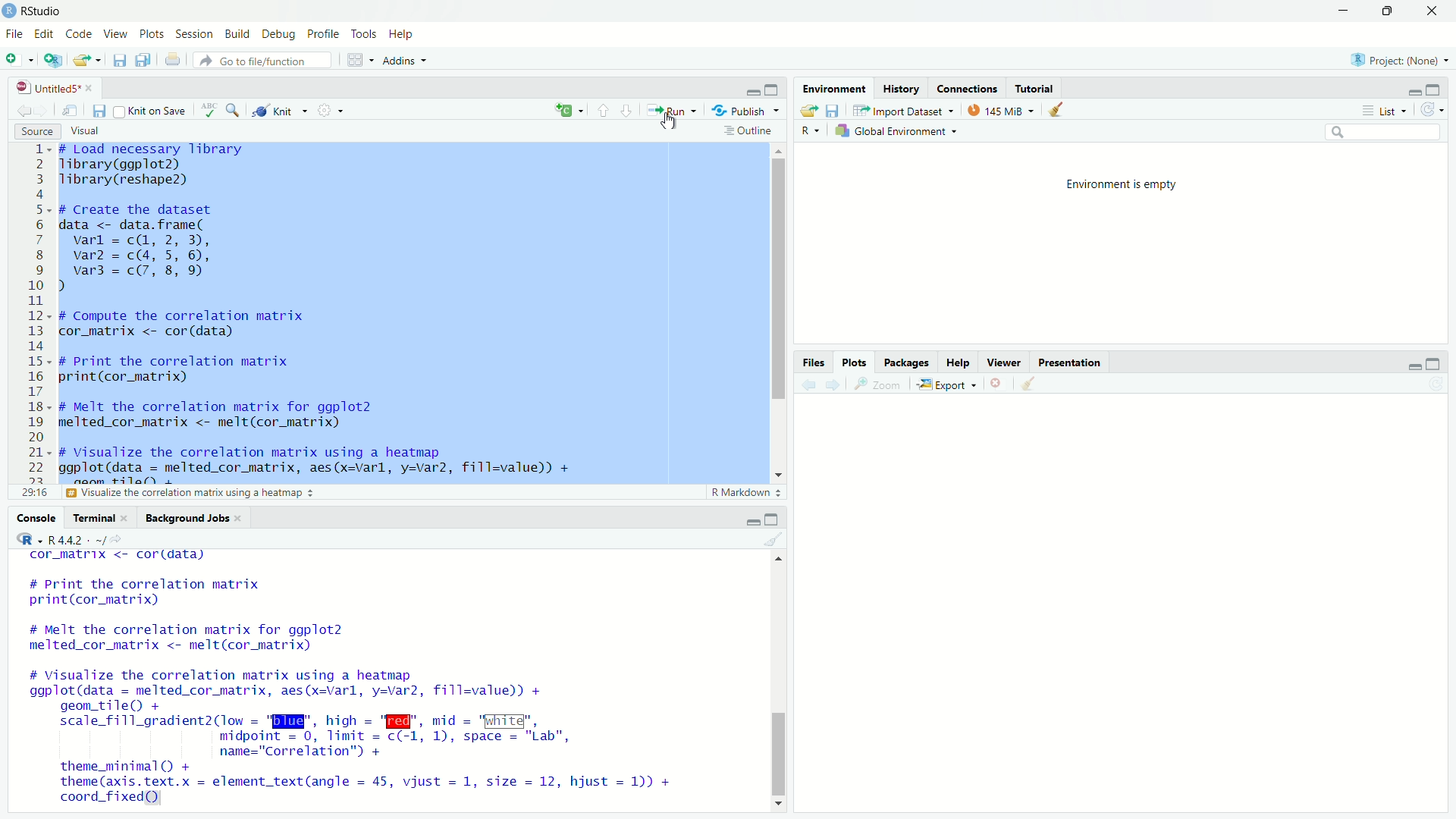  Describe the element at coordinates (152, 34) in the screenshot. I see `plots` at that location.